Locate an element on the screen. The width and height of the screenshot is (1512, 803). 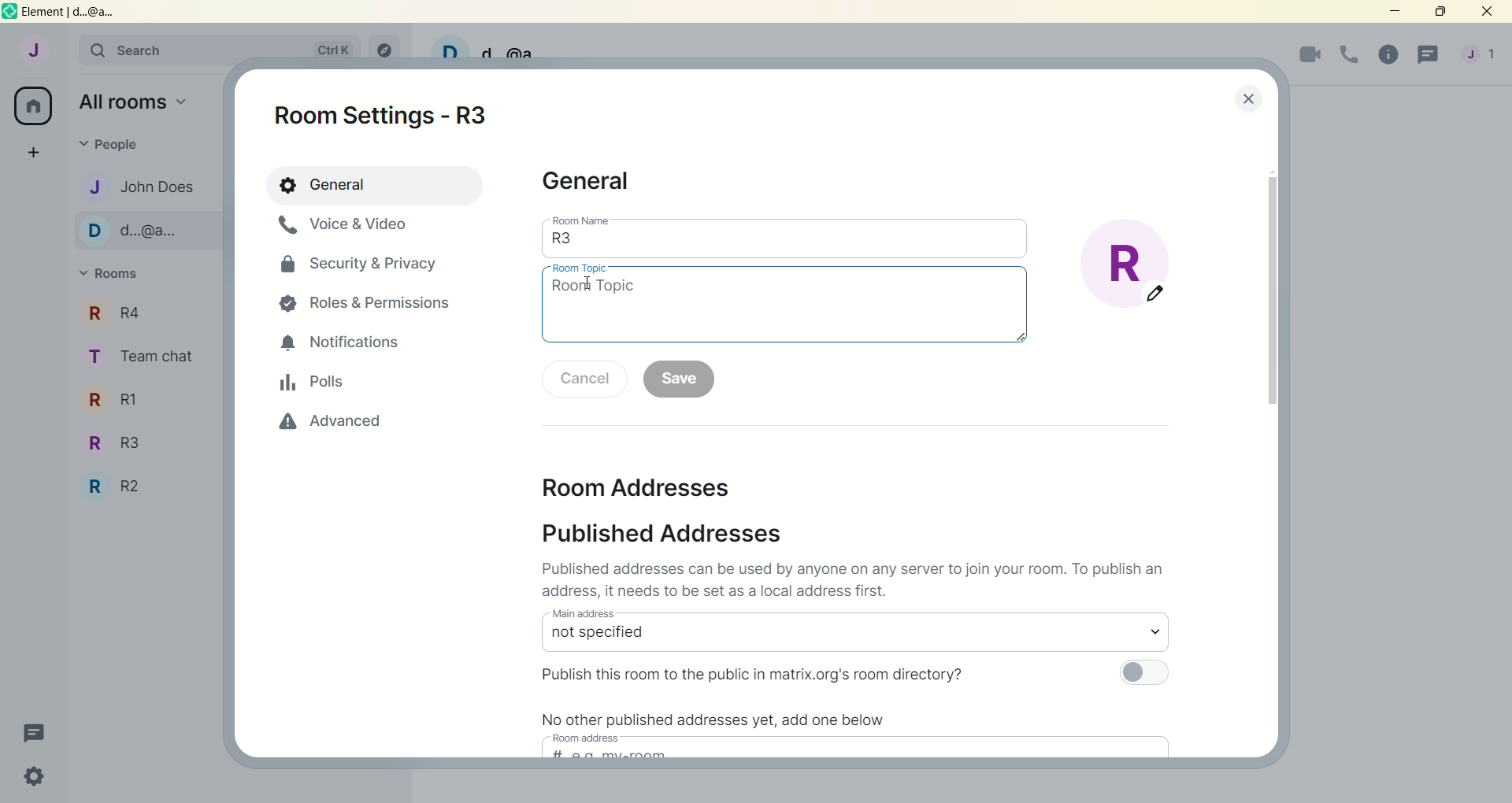
quick settings is located at coordinates (39, 778).